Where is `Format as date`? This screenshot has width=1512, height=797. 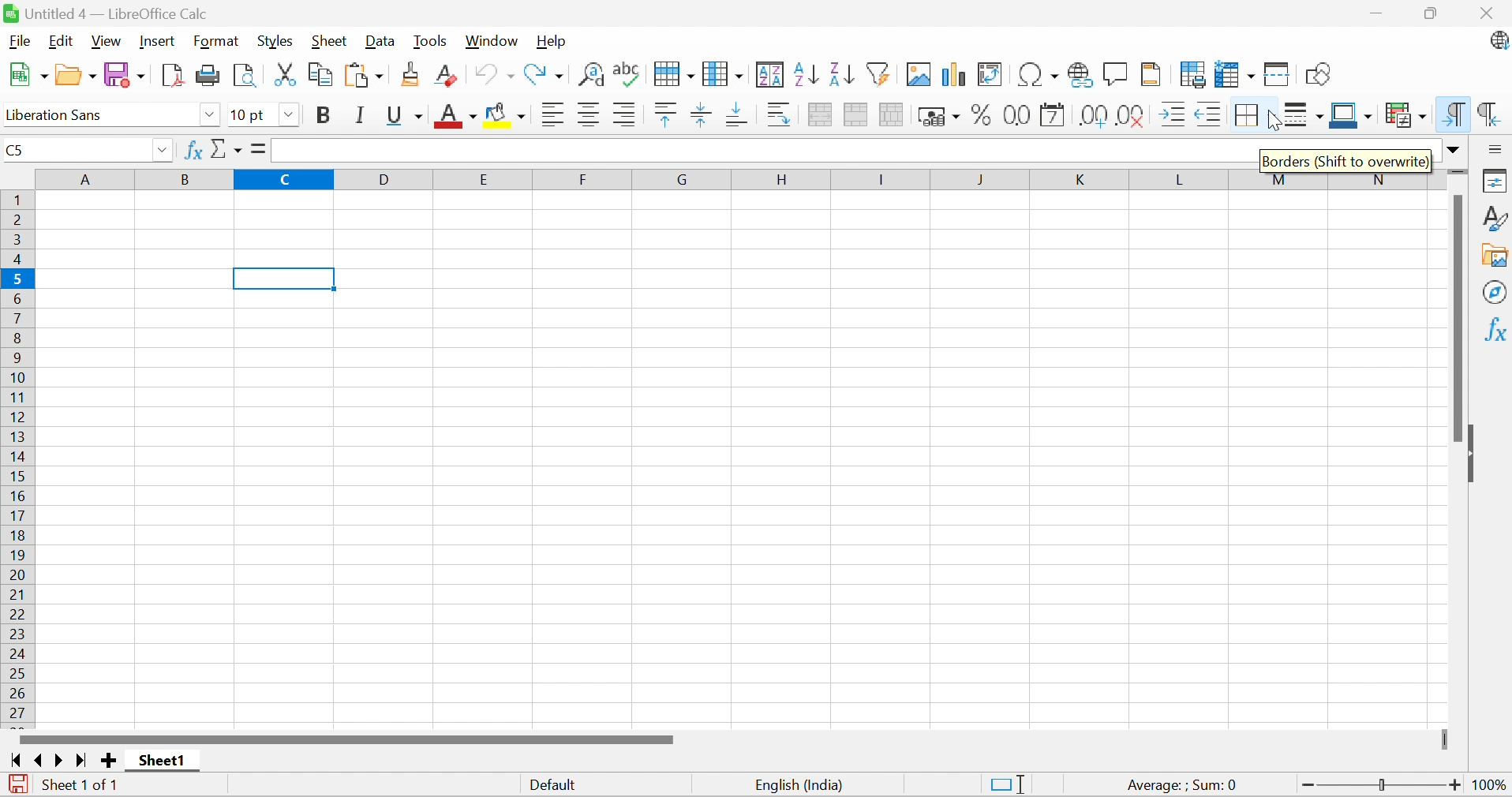 Format as date is located at coordinates (1053, 118).